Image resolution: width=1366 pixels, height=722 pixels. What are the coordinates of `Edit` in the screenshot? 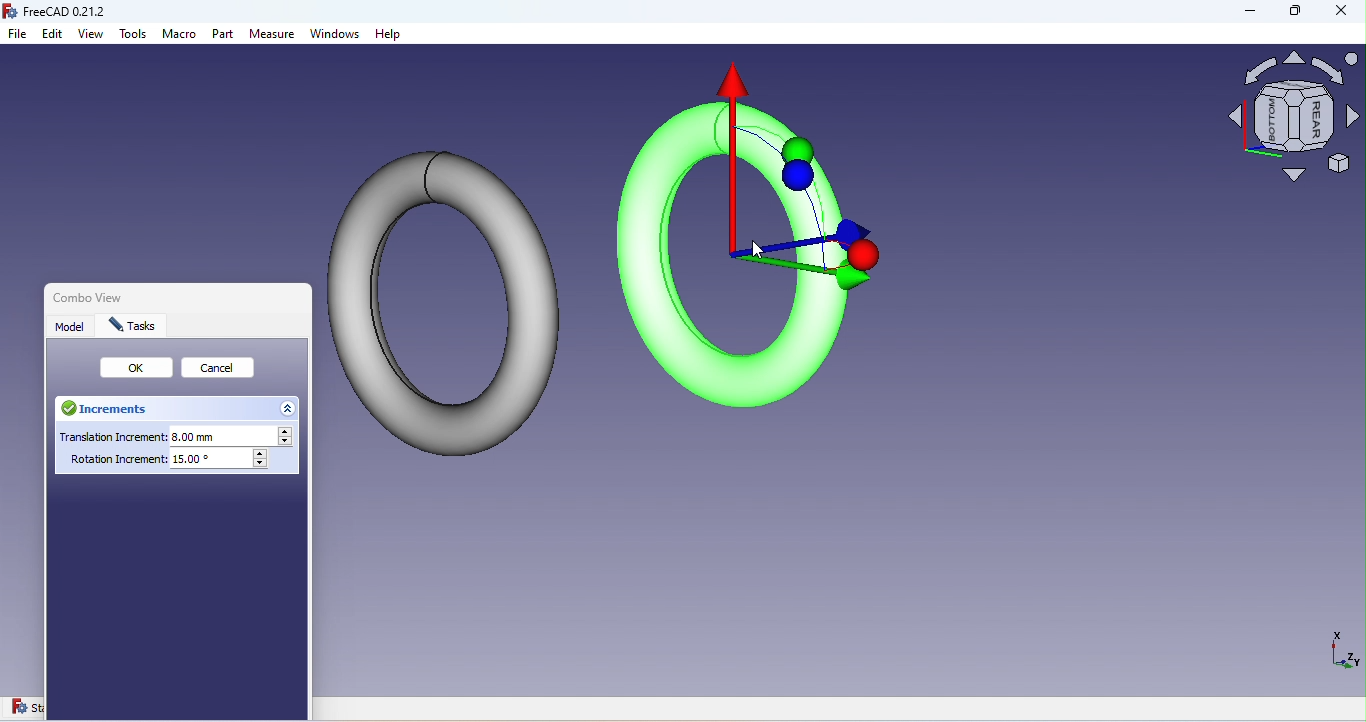 It's located at (53, 35).